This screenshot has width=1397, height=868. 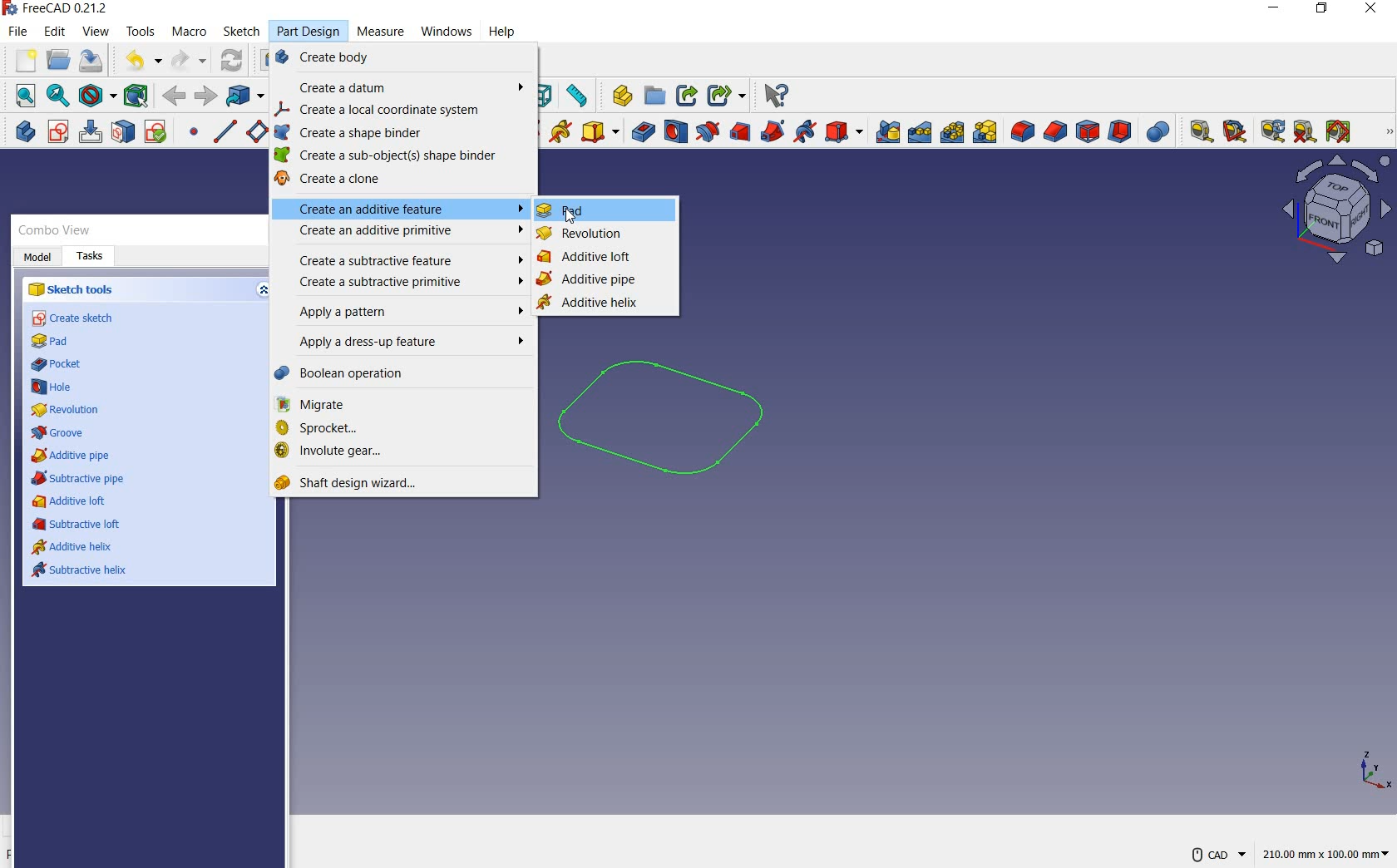 What do you see at coordinates (400, 428) in the screenshot?
I see `sprocket` at bounding box center [400, 428].